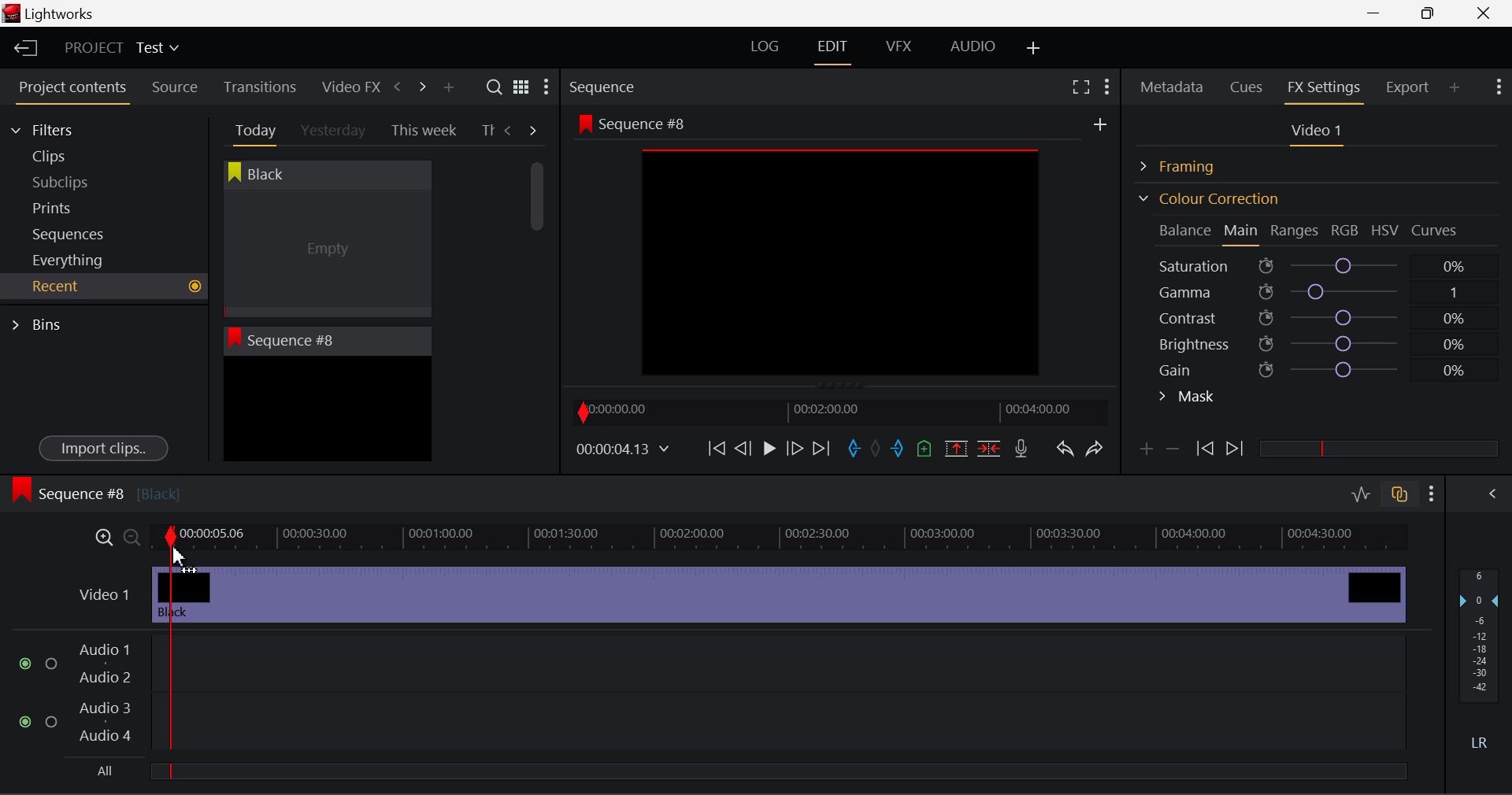 This screenshot has width=1512, height=795. I want to click on To End, so click(821, 449).